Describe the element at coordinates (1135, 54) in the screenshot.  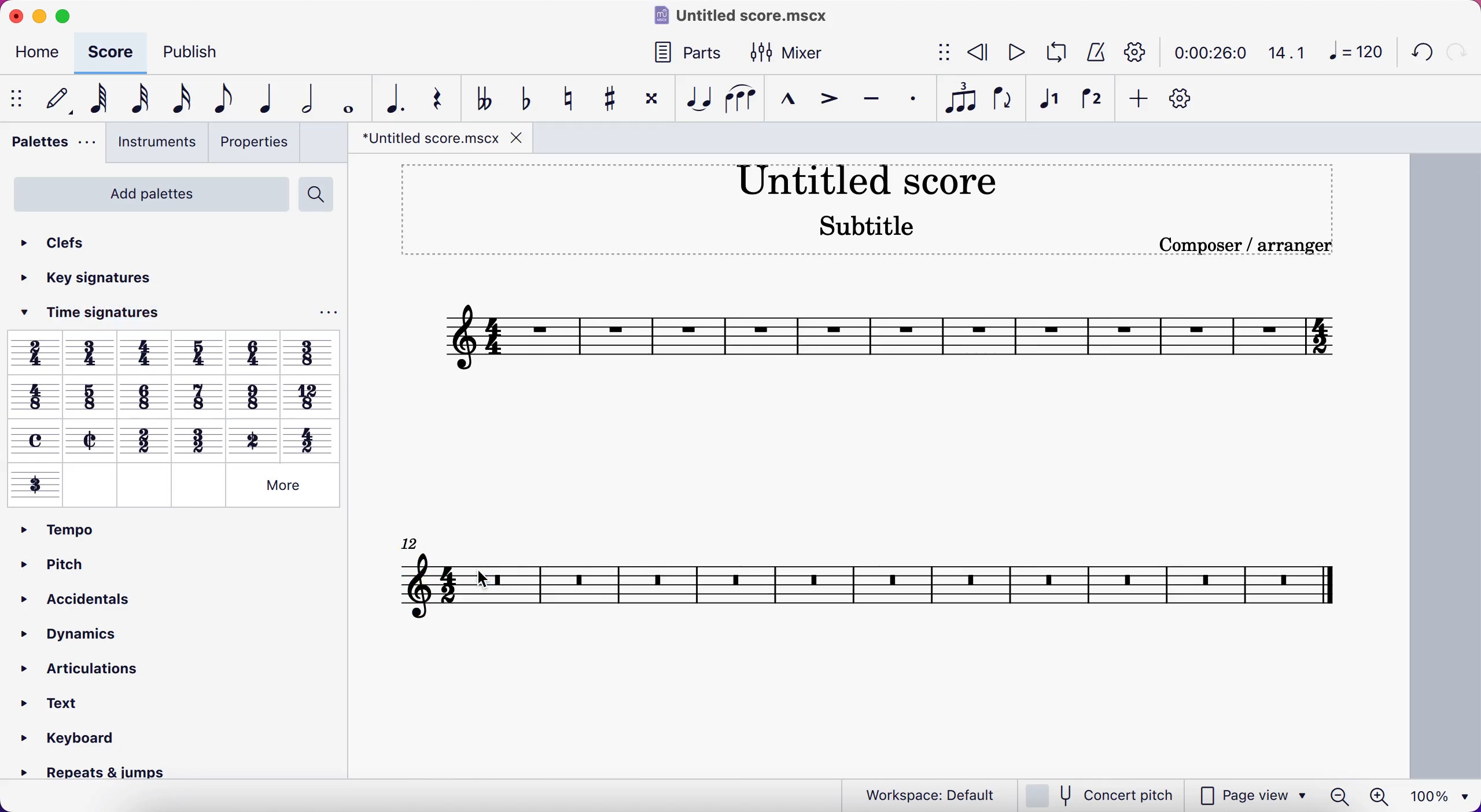
I see `playback settings` at that location.